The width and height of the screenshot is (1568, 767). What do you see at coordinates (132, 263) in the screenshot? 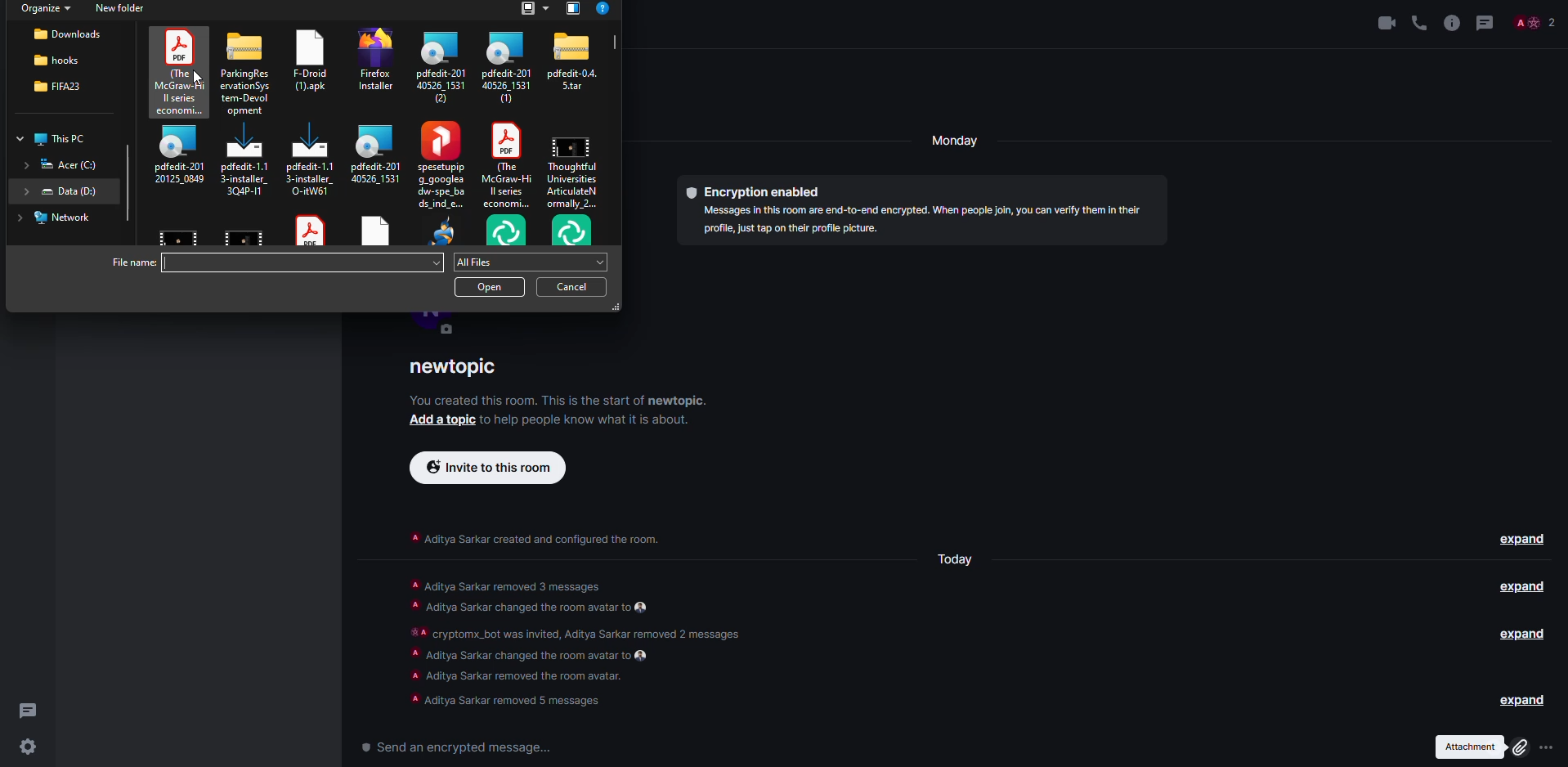
I see `file name` at bounding box center [132, 263].